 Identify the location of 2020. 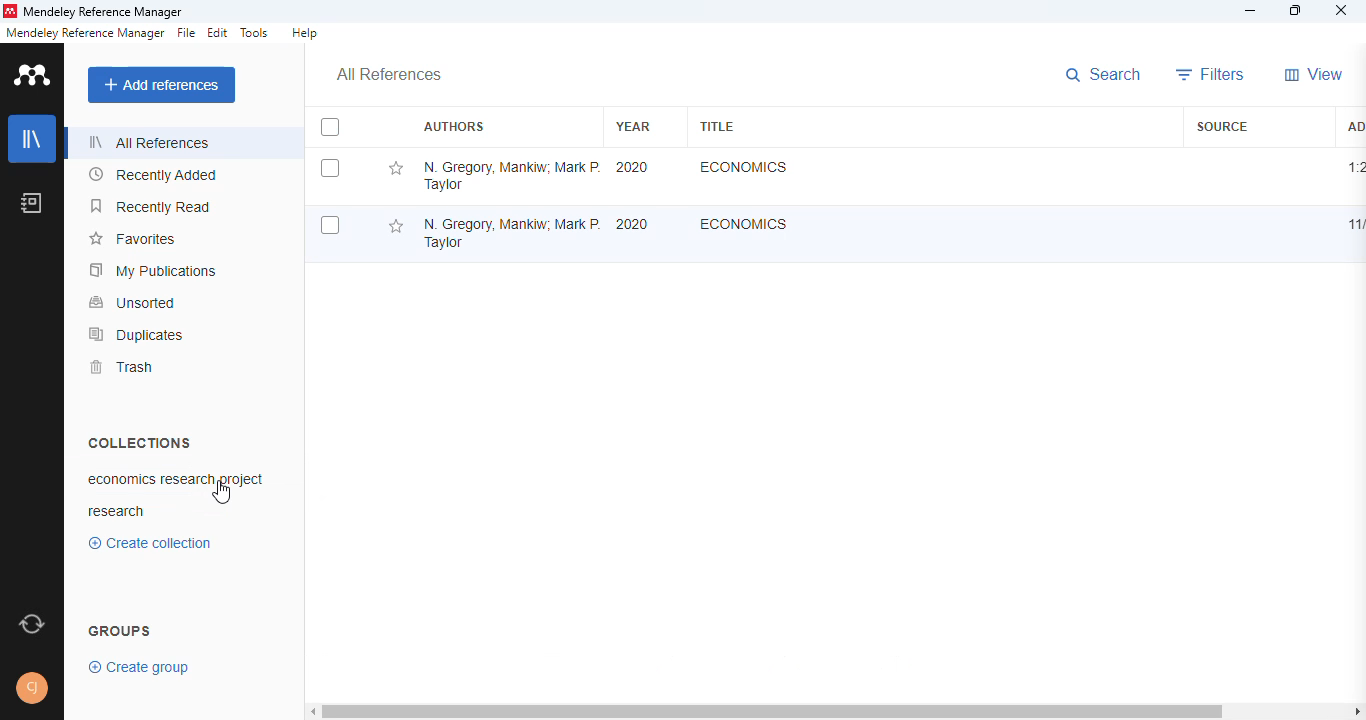
(632, 224).